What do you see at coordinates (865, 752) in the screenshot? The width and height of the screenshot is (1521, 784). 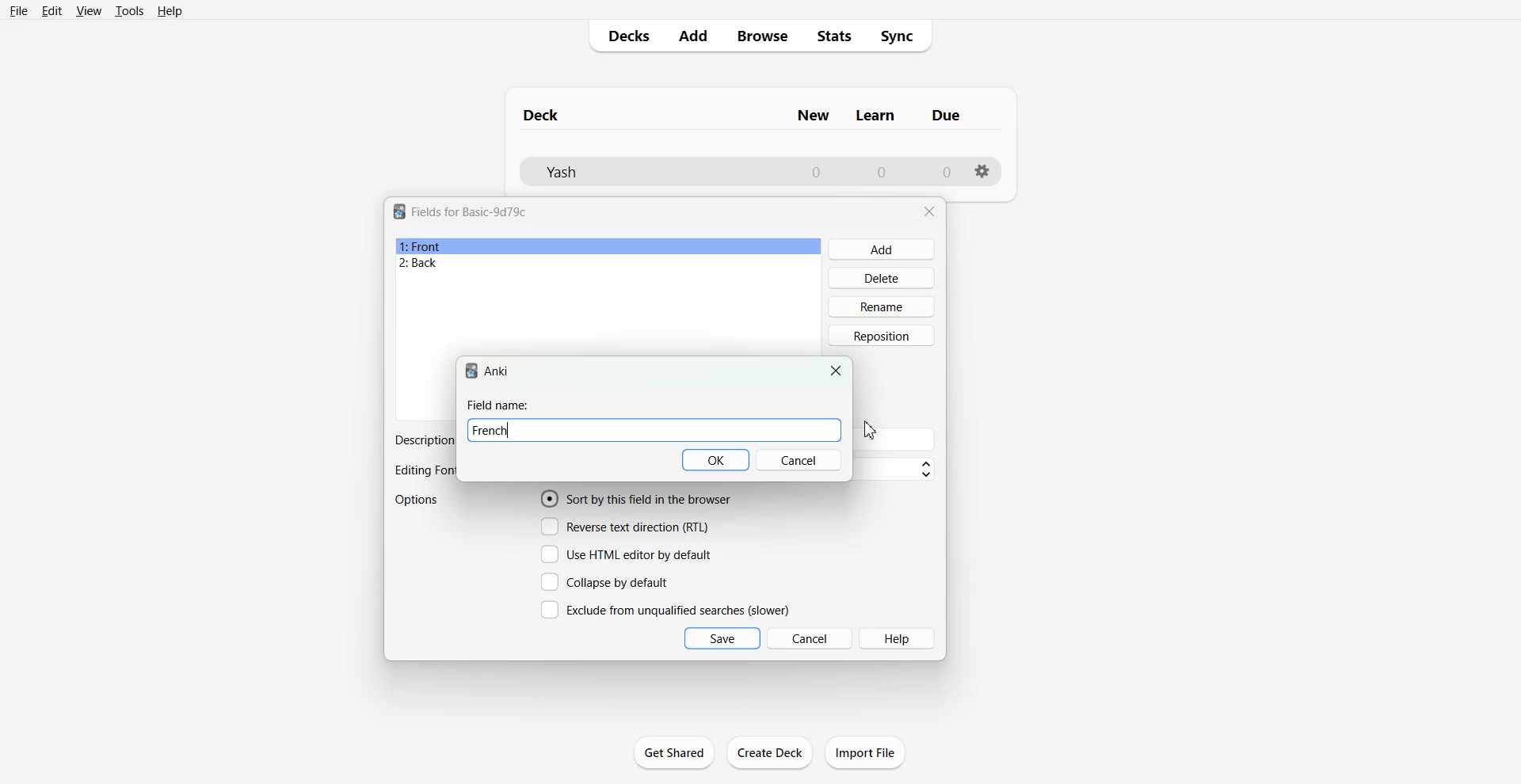 I see `Import File` at bounding box center [865, 752].